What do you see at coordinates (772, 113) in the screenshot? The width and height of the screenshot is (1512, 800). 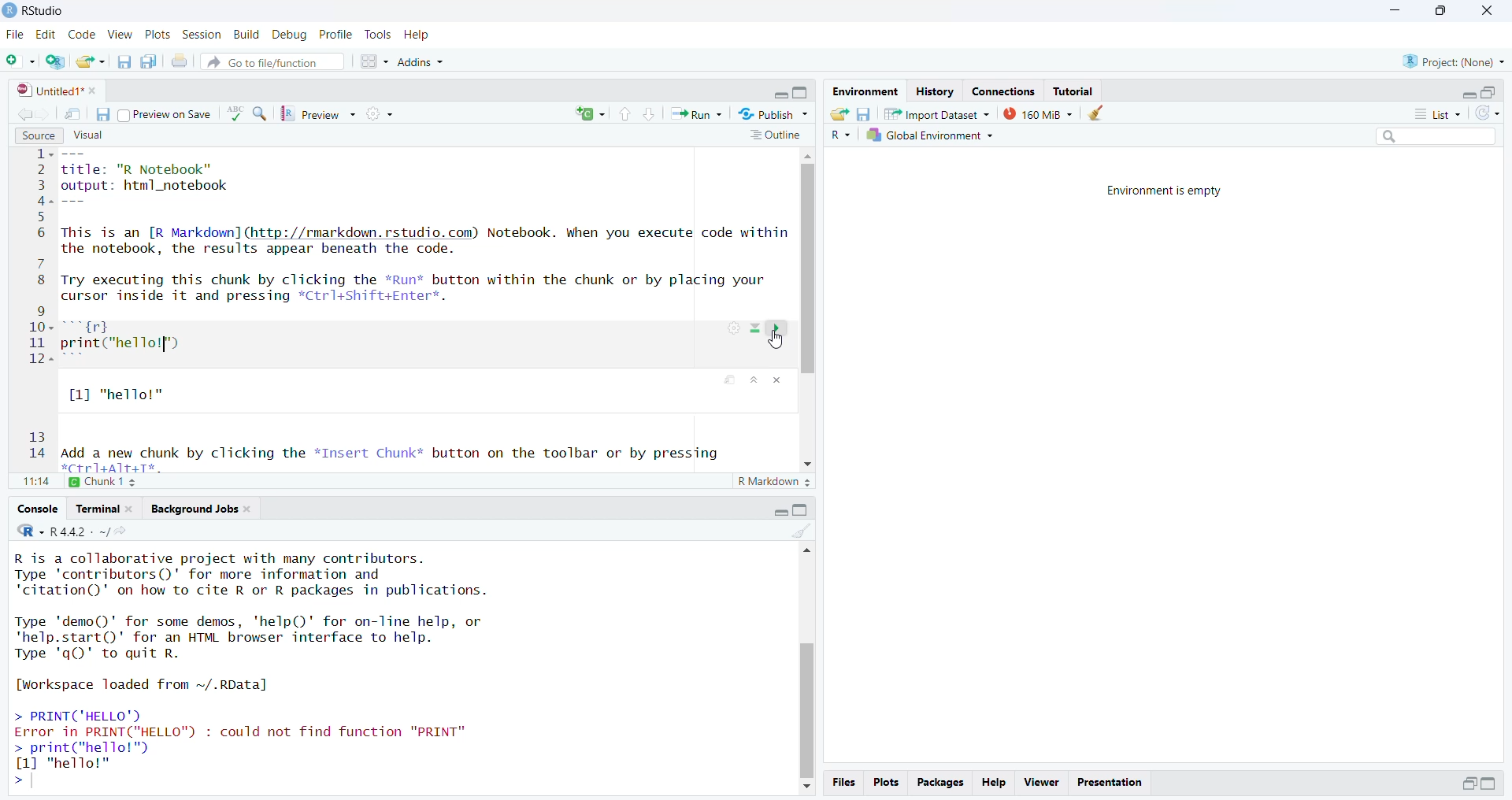 I see `publish` at bounding box center [772, 113].